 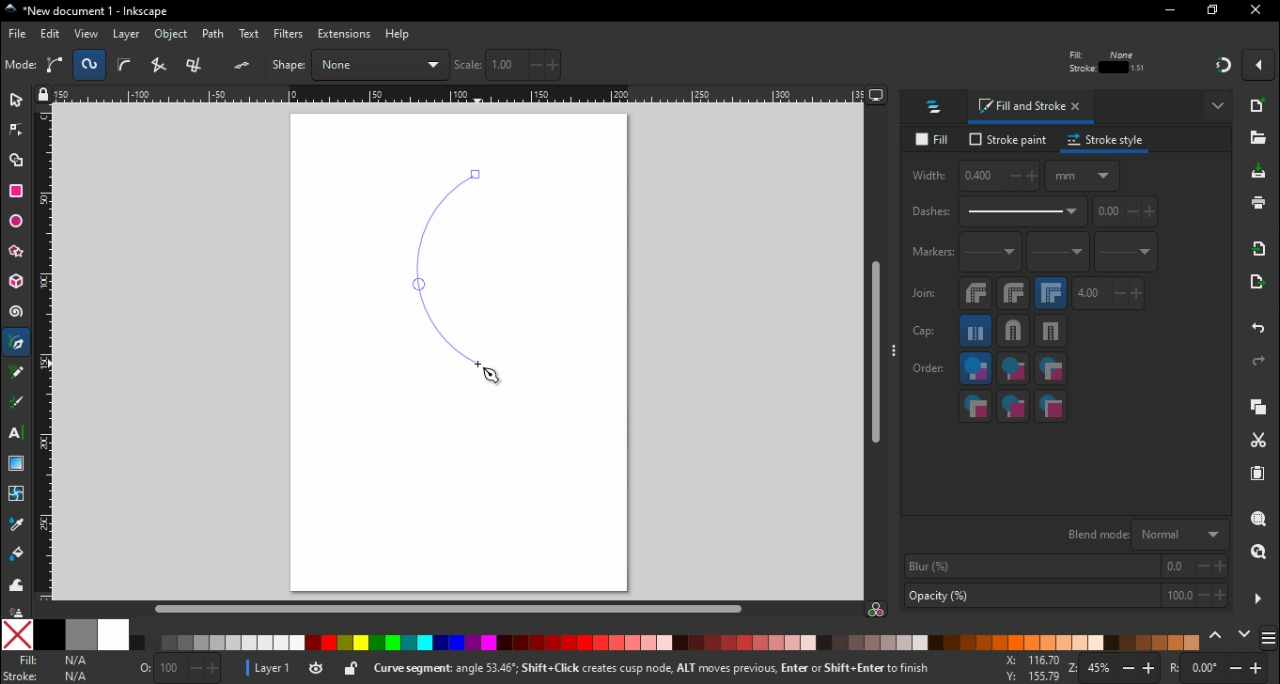 I want to click on black, so click(x=51, y=633).